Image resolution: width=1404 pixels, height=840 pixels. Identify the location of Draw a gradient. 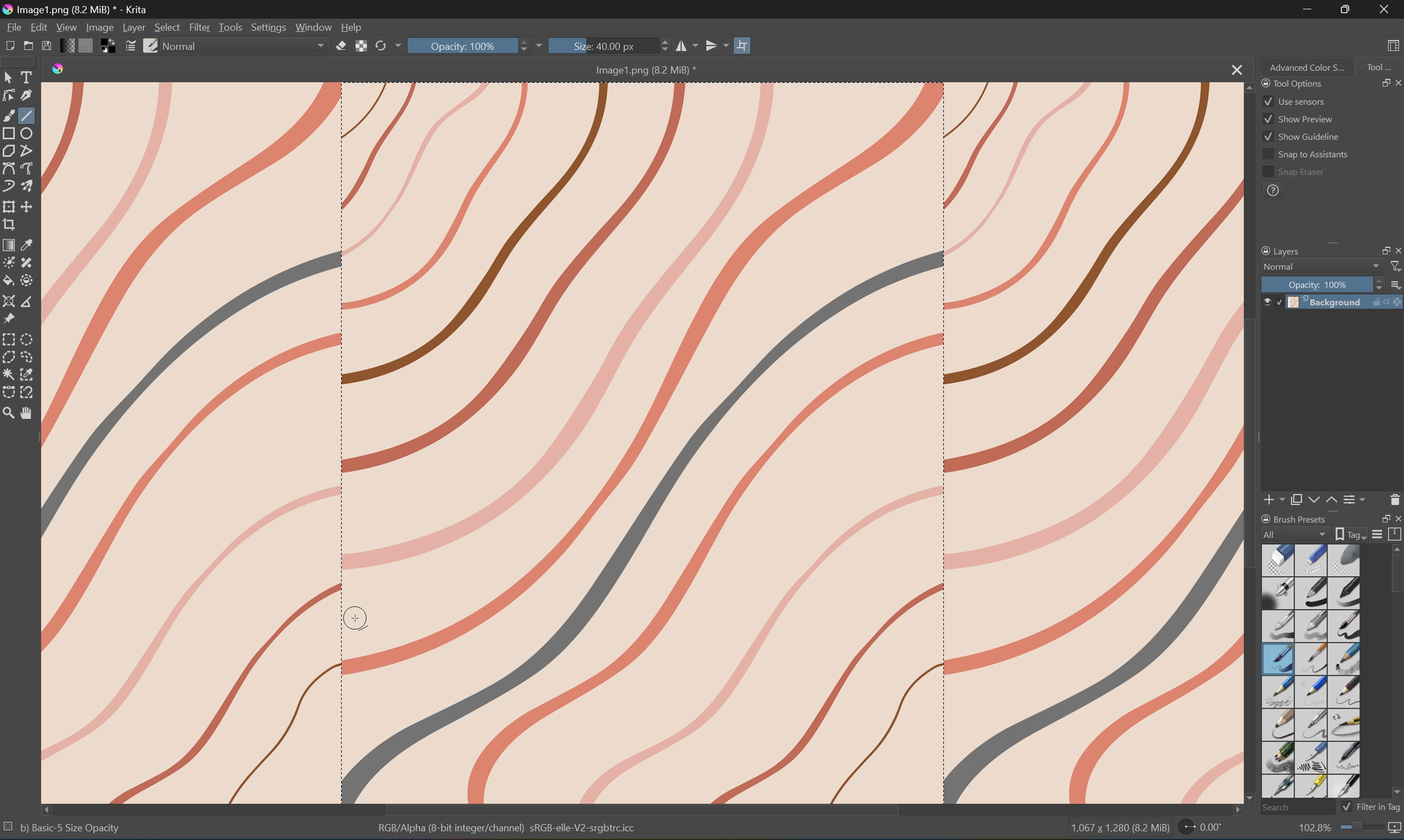
(10, 244).